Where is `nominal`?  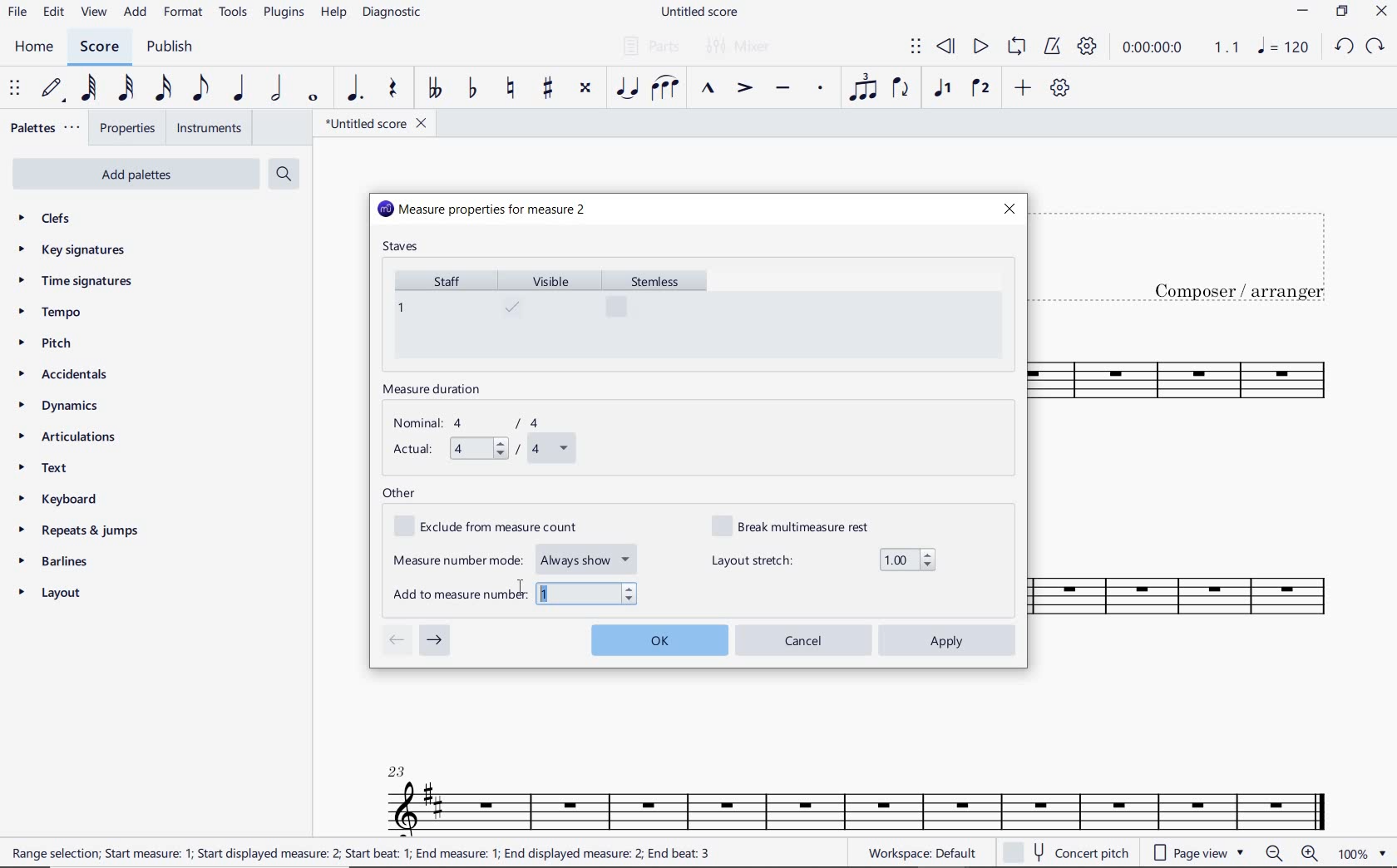
nominal is located at coordinates (475, 423).